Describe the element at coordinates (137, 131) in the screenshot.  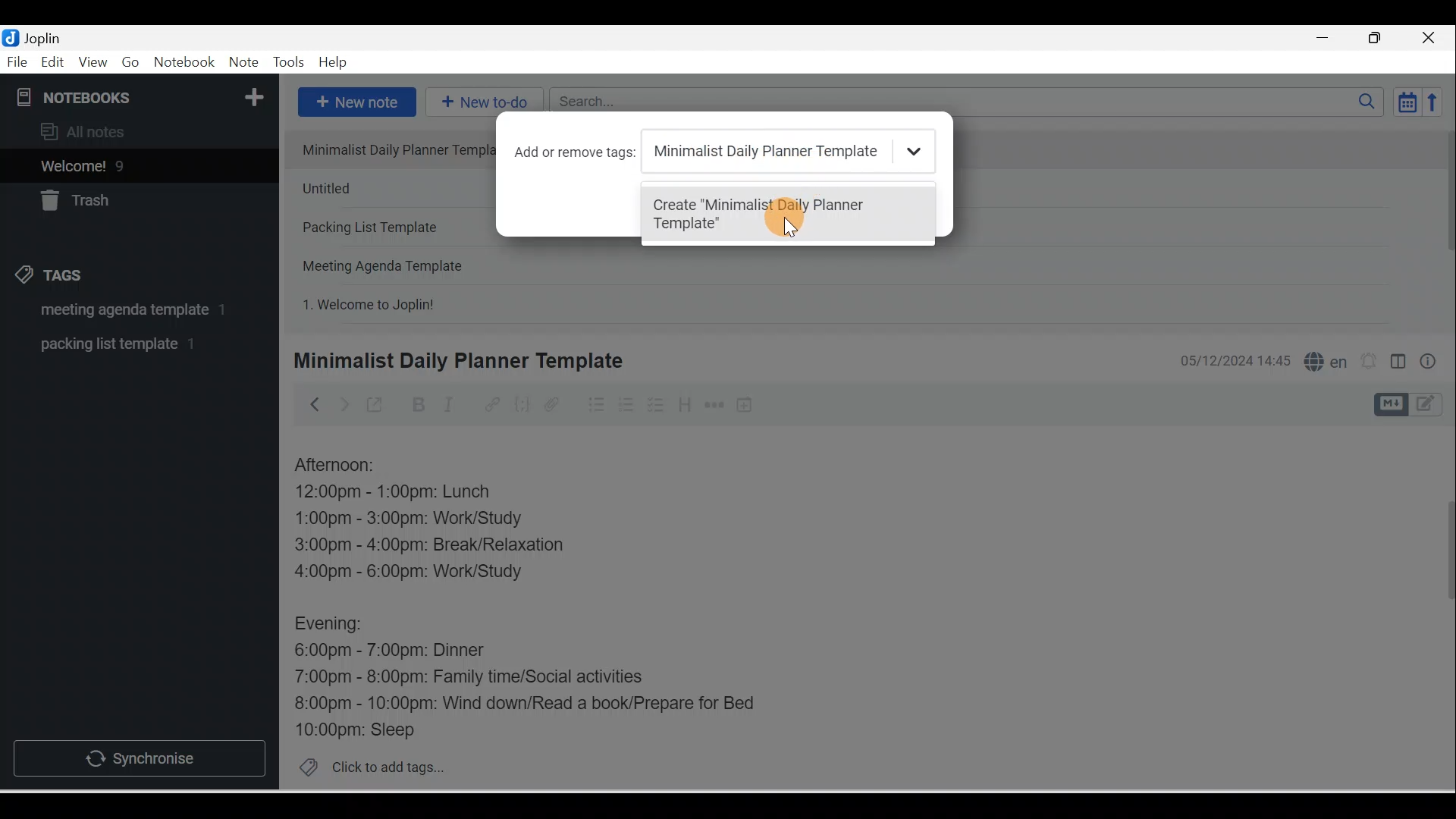
I see `All notes` at that location.